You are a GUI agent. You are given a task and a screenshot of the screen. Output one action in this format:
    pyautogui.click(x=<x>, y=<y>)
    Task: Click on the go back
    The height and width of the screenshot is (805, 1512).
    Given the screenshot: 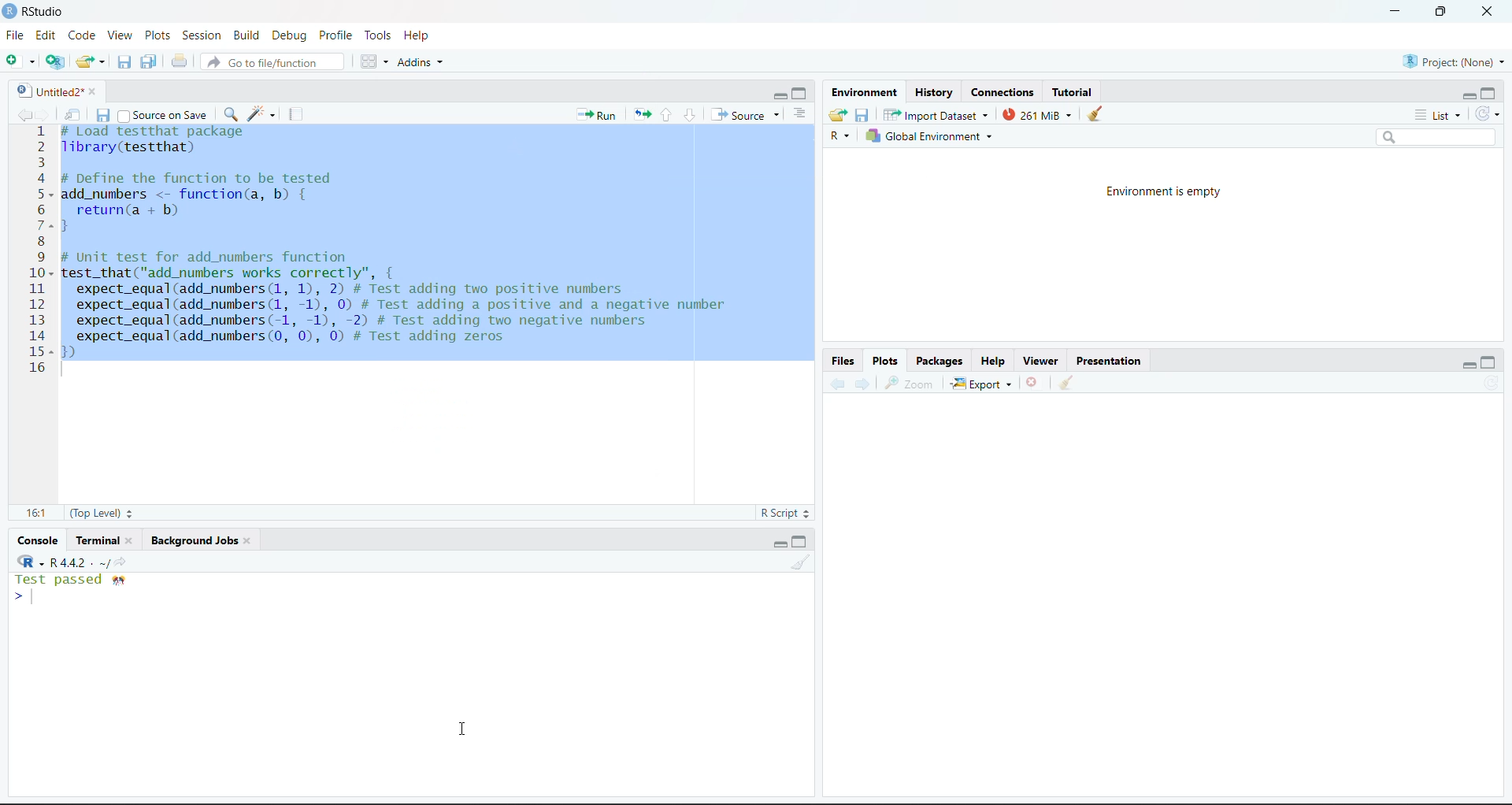 What is the action you would take?
    pyautogui.click(x=23, y=114)
    